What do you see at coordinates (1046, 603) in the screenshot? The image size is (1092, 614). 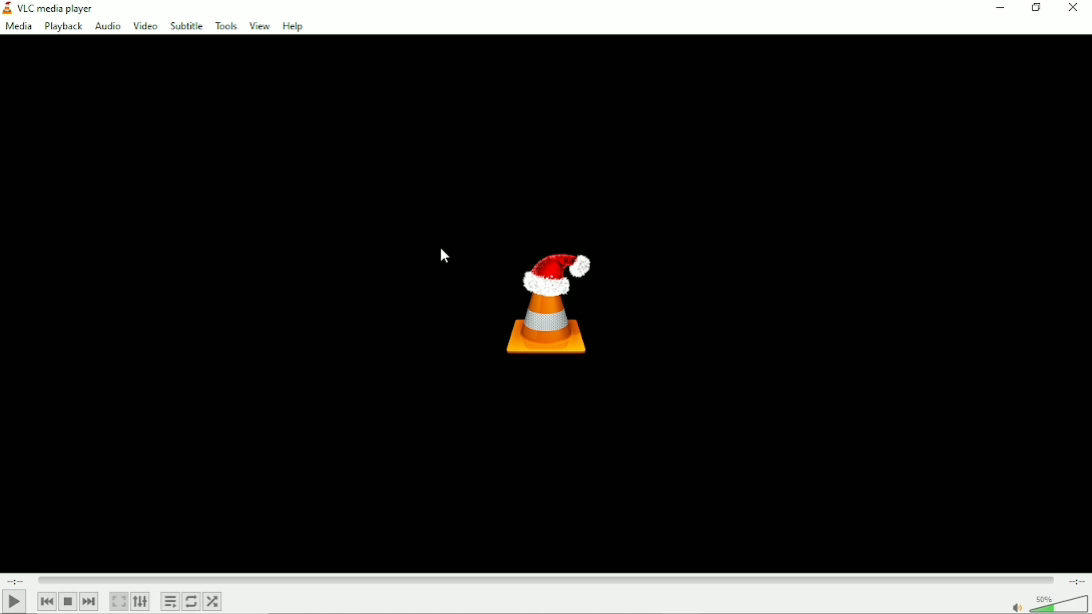 I see `Volume` at bounding box center [1046, 603].